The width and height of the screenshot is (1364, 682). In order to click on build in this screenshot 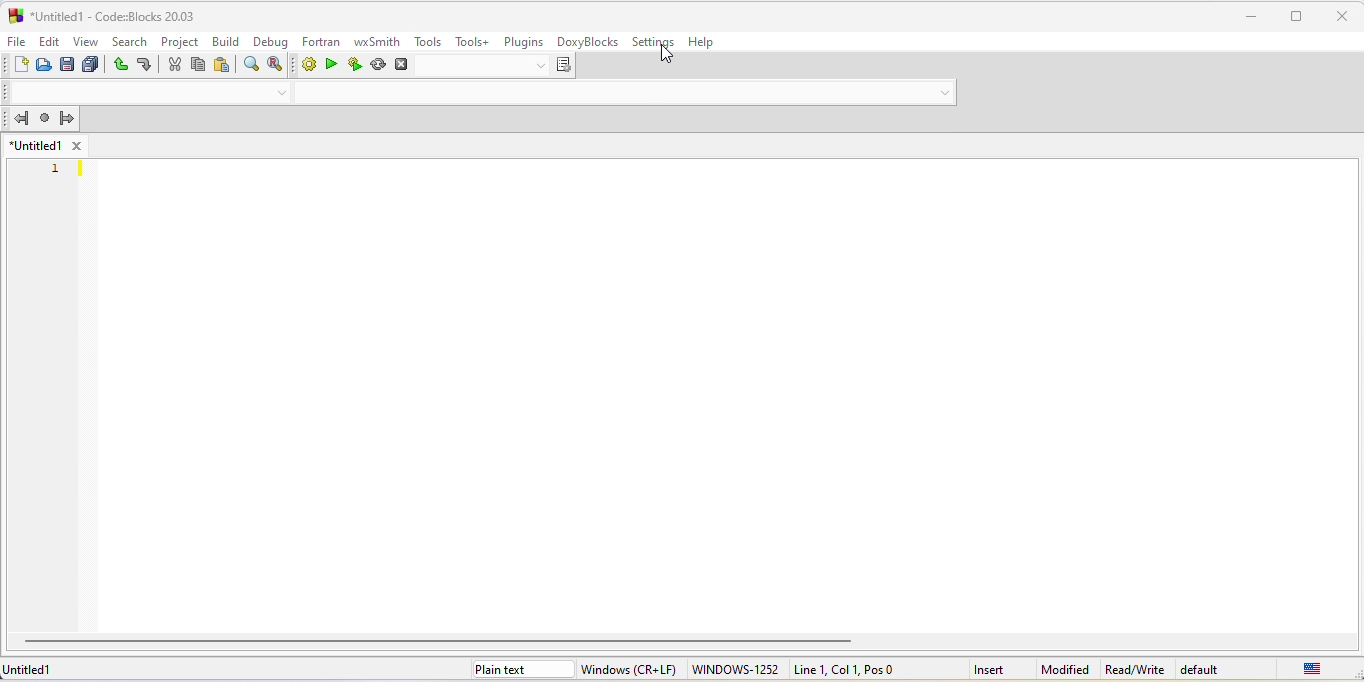, I will do `click(308, 62)`.